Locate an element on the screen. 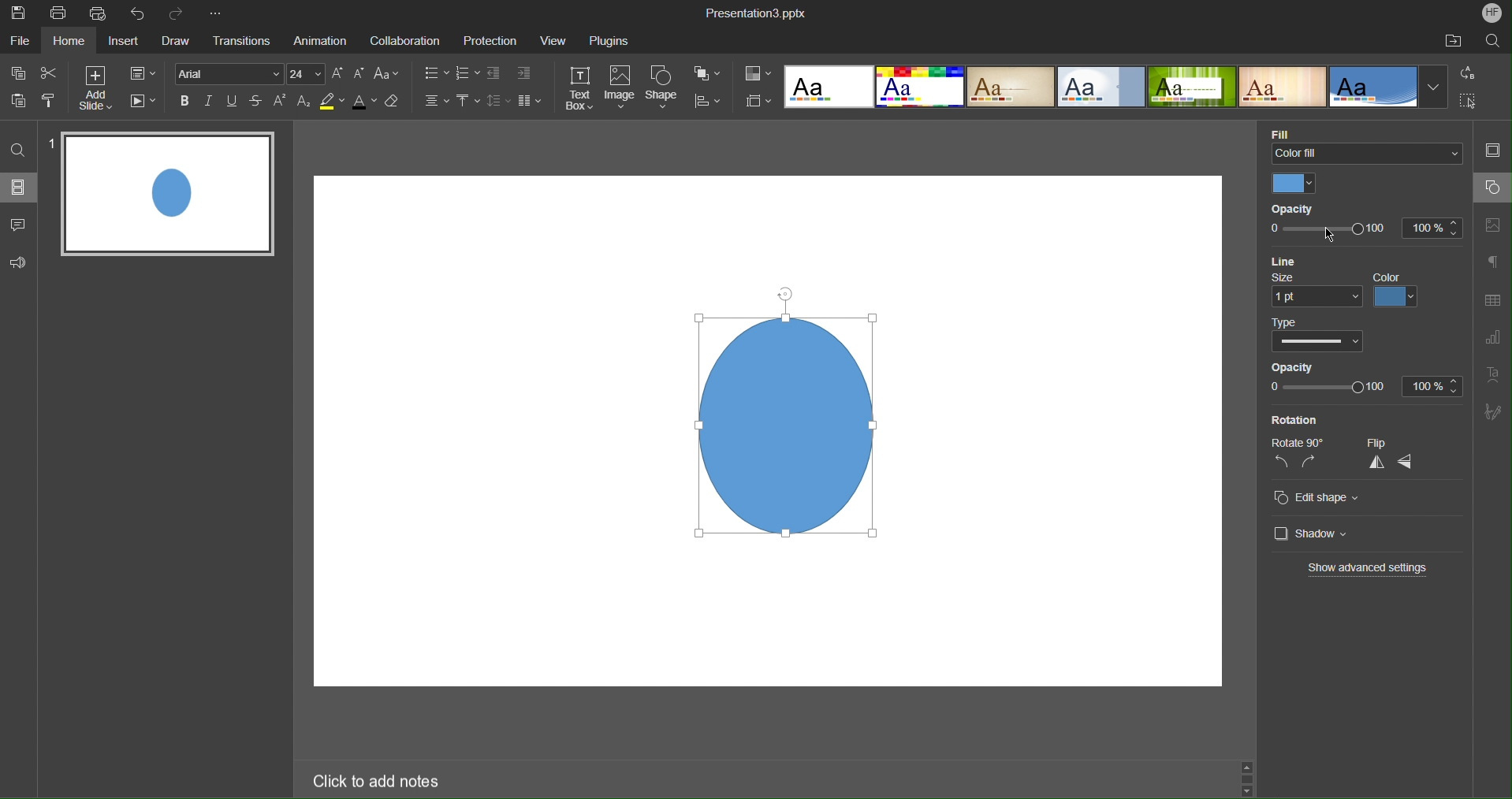 Image resolution: width=1512 pixels, height=799 pixels. Fill is located at coordinates (1285, 131).